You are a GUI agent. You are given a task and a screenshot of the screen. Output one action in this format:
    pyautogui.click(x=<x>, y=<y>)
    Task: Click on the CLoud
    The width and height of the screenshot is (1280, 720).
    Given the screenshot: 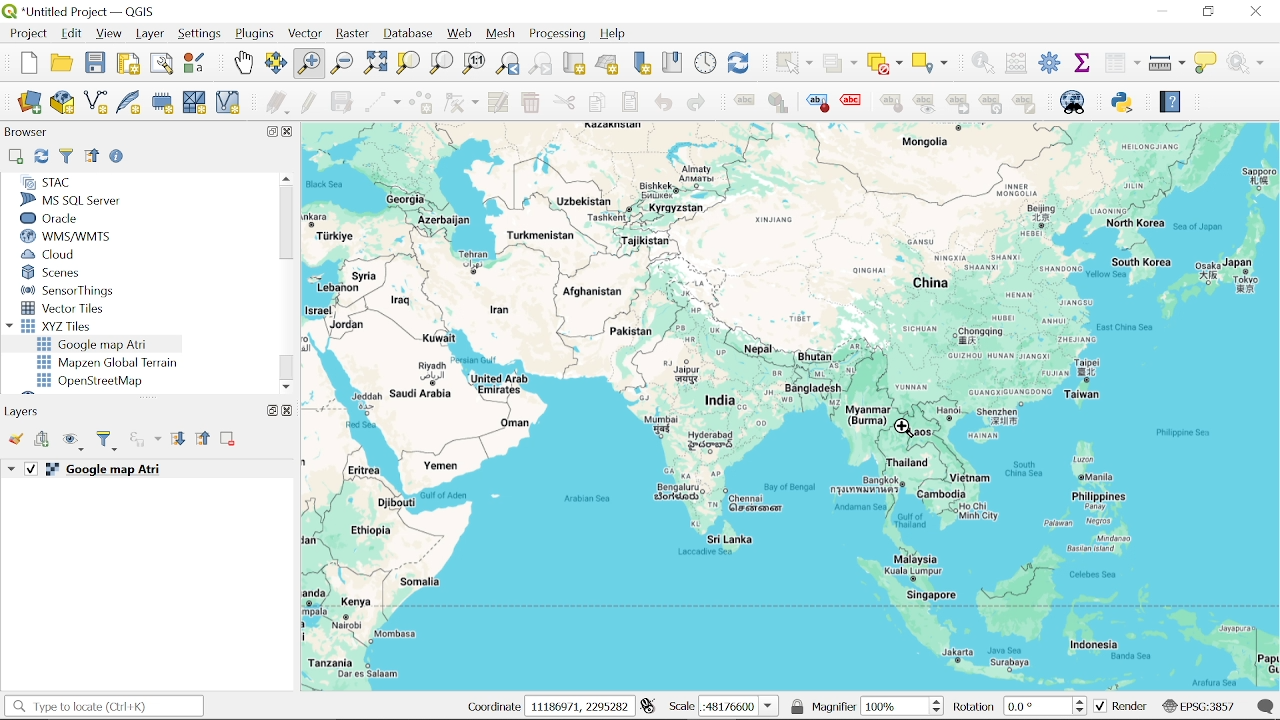 What is the action you would take?
    pyautogui.click(x=50, y=254)
    